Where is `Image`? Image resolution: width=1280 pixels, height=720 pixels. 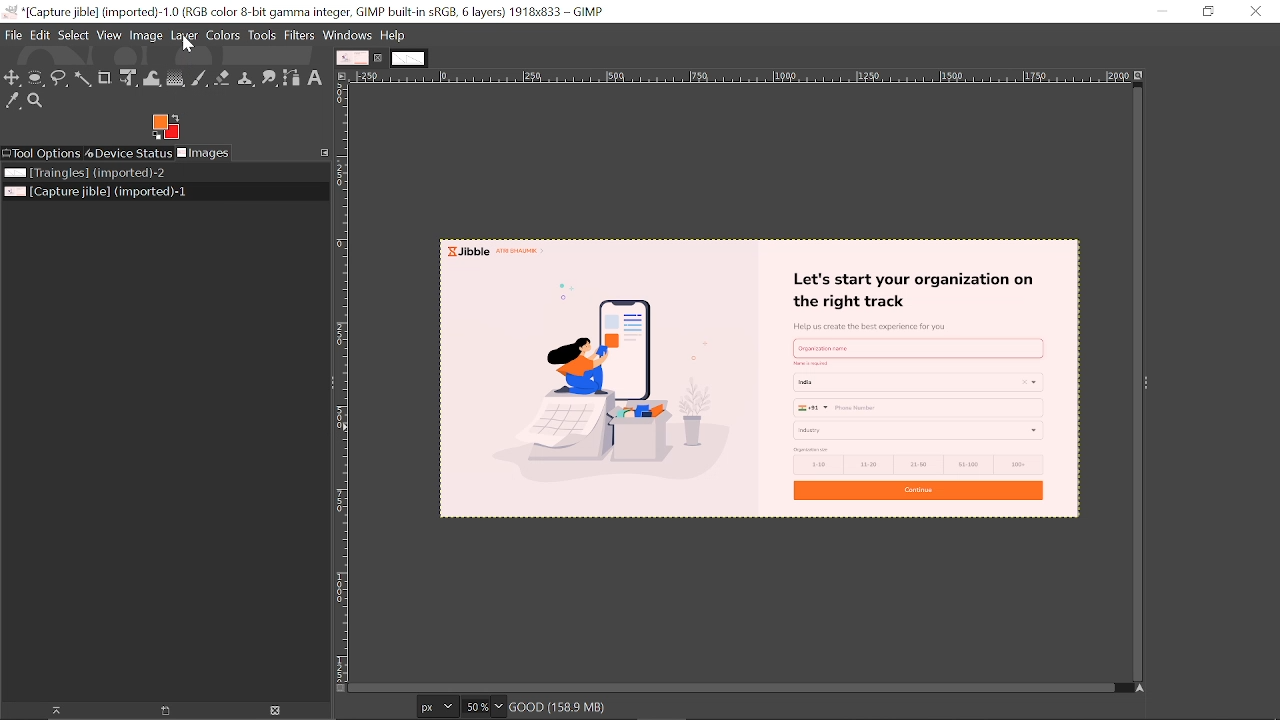 Image is located at coordinates (147, 35).